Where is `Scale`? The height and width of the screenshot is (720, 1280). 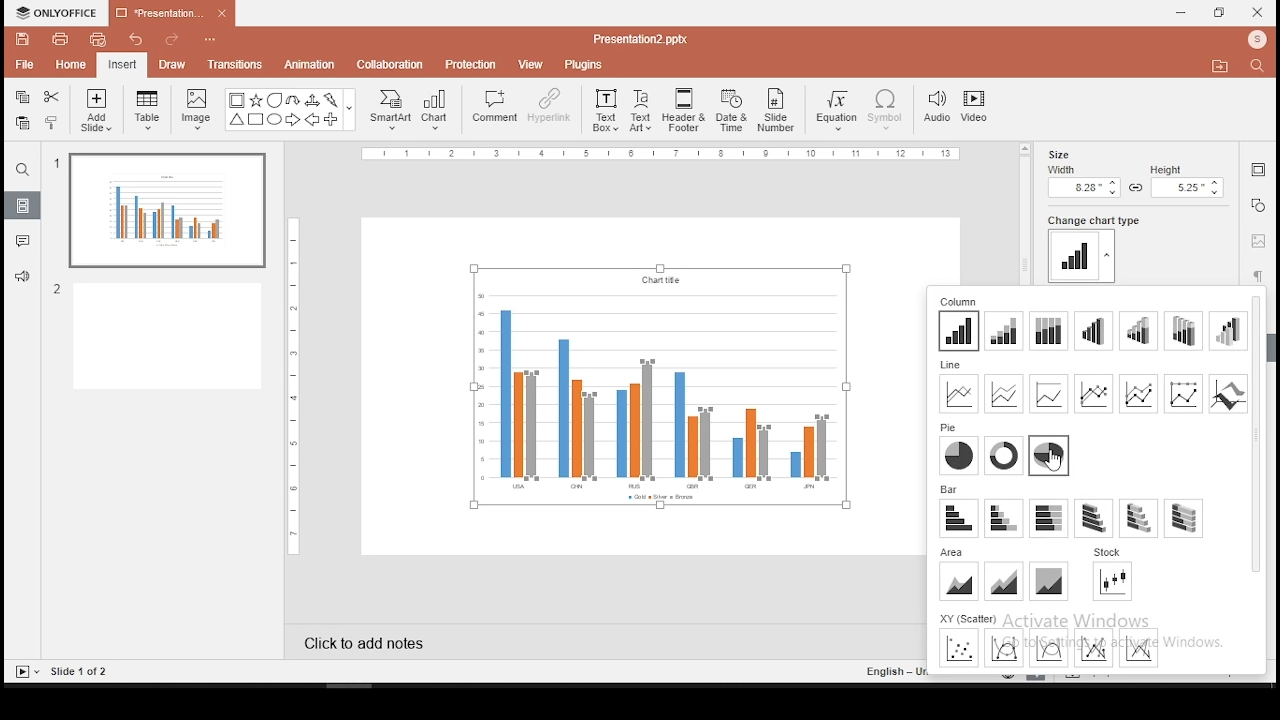 Scale is located at coordinates (659, 154).